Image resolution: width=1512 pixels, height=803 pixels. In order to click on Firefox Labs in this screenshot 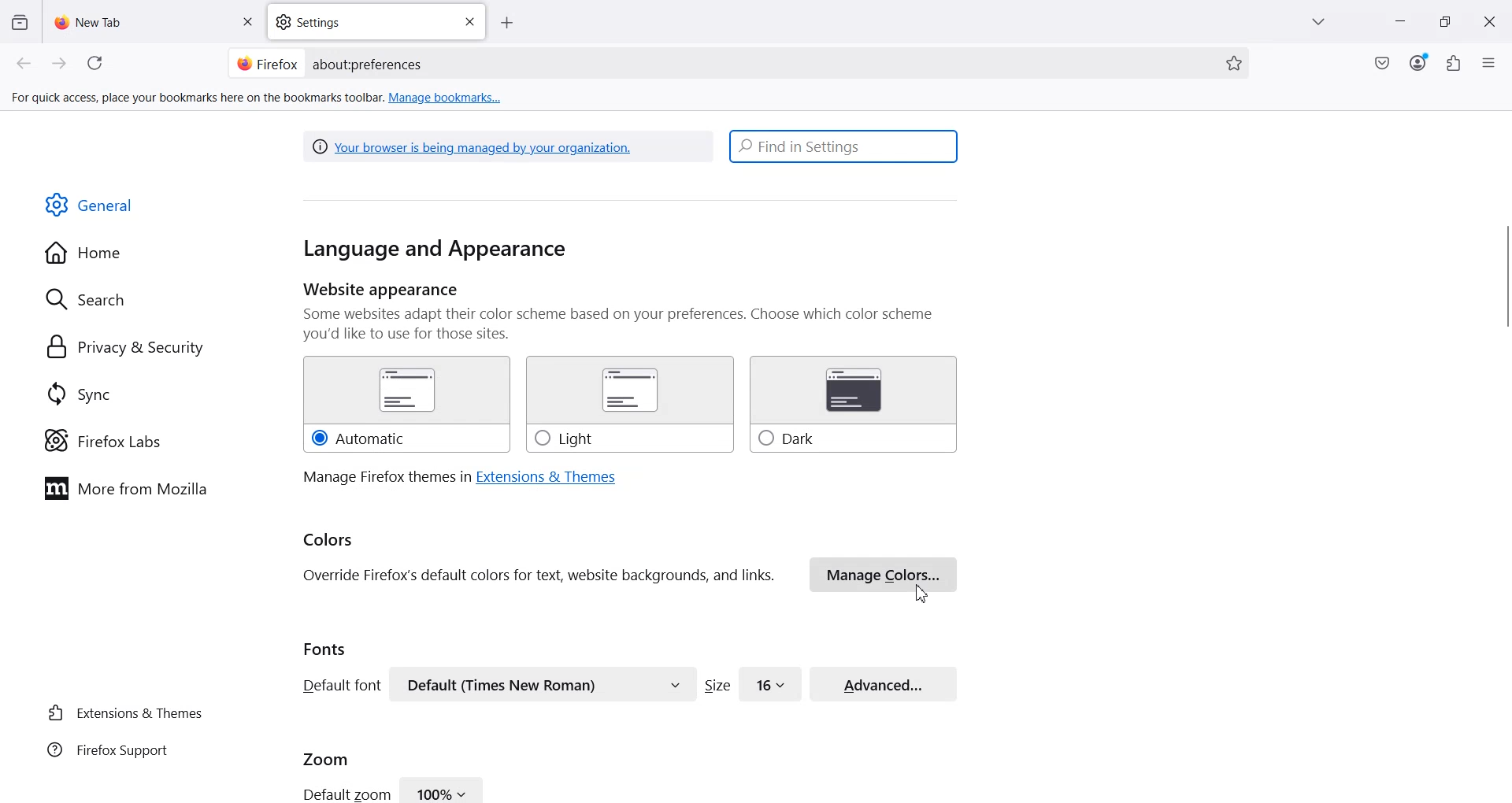, I will do `click(102, 441)`.